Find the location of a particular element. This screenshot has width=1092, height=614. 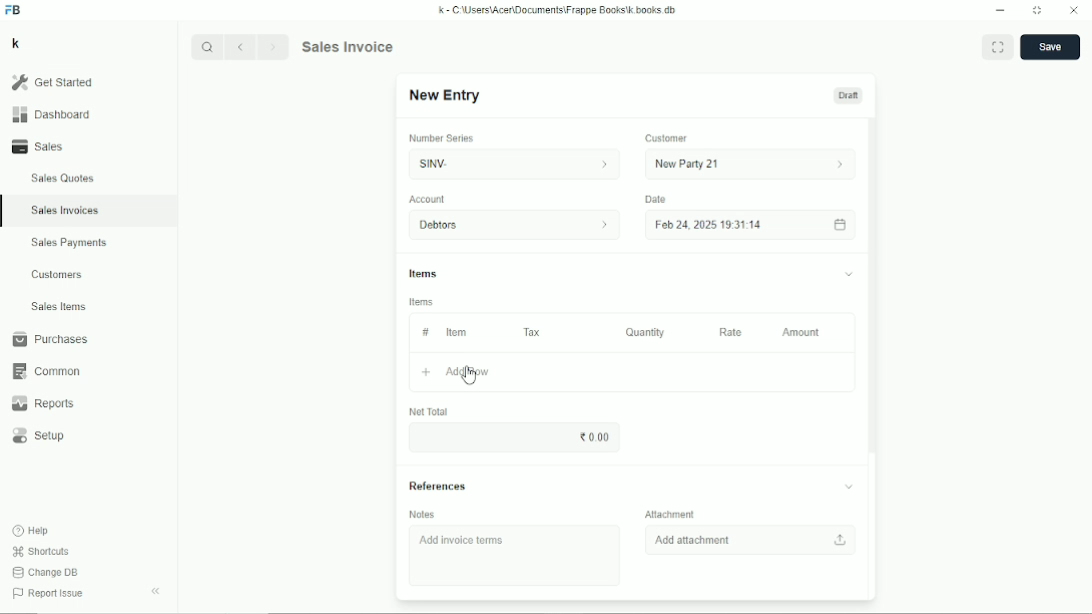

Net total is located at coordinates (427, 411).